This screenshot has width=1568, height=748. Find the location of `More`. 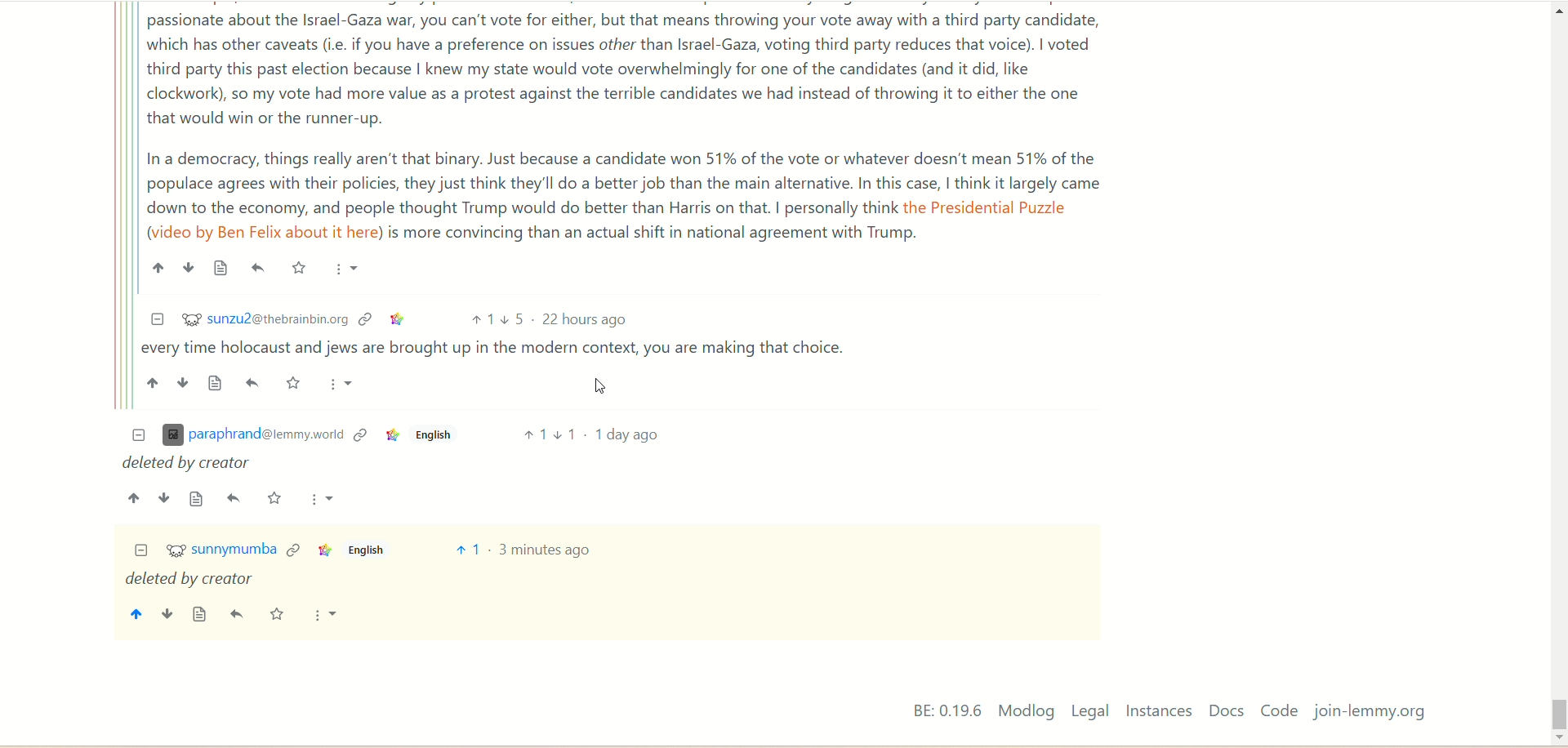

More is located at coordinates (347, 270).